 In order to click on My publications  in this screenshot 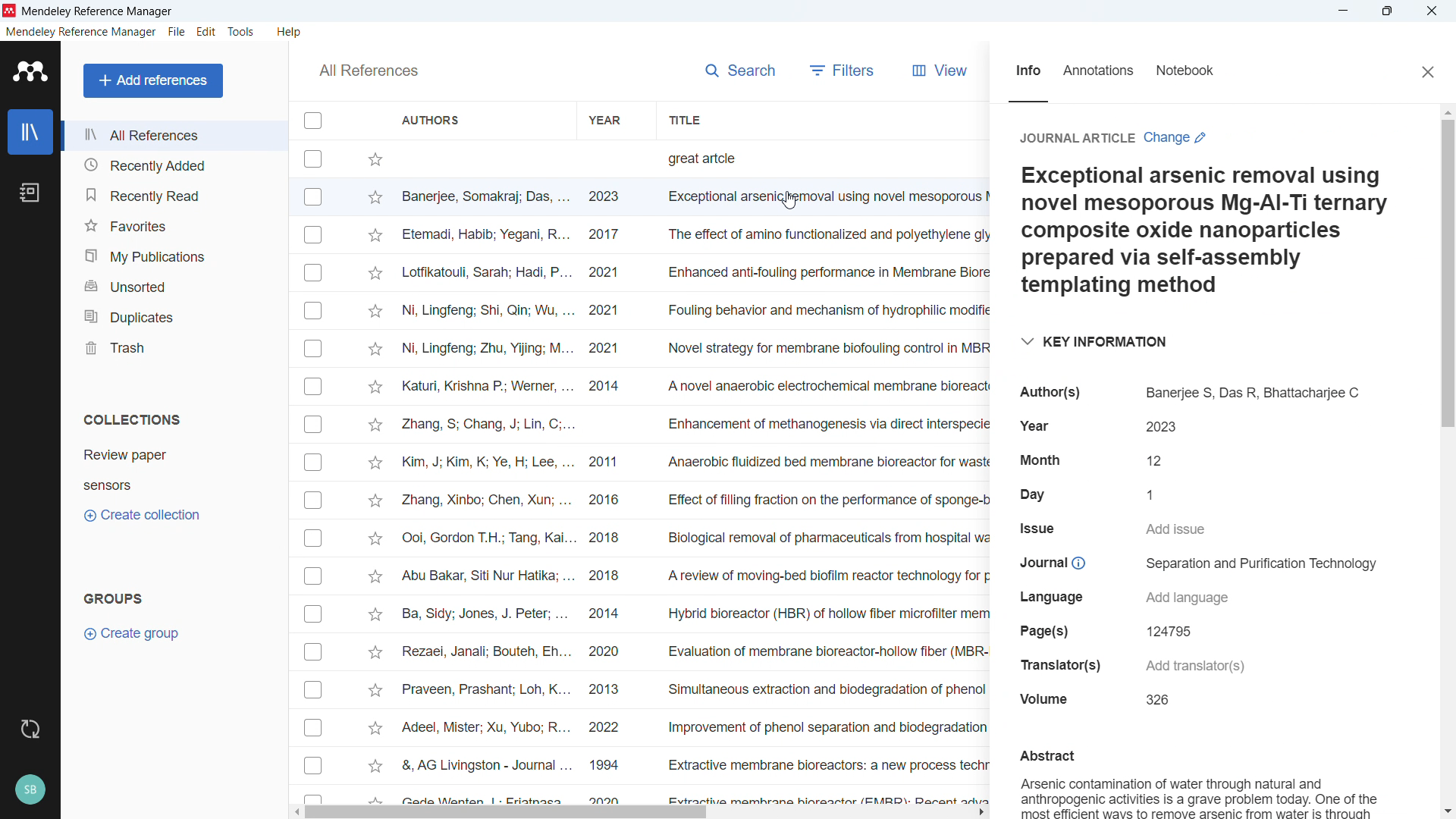, I will do `click(174, 255)`.